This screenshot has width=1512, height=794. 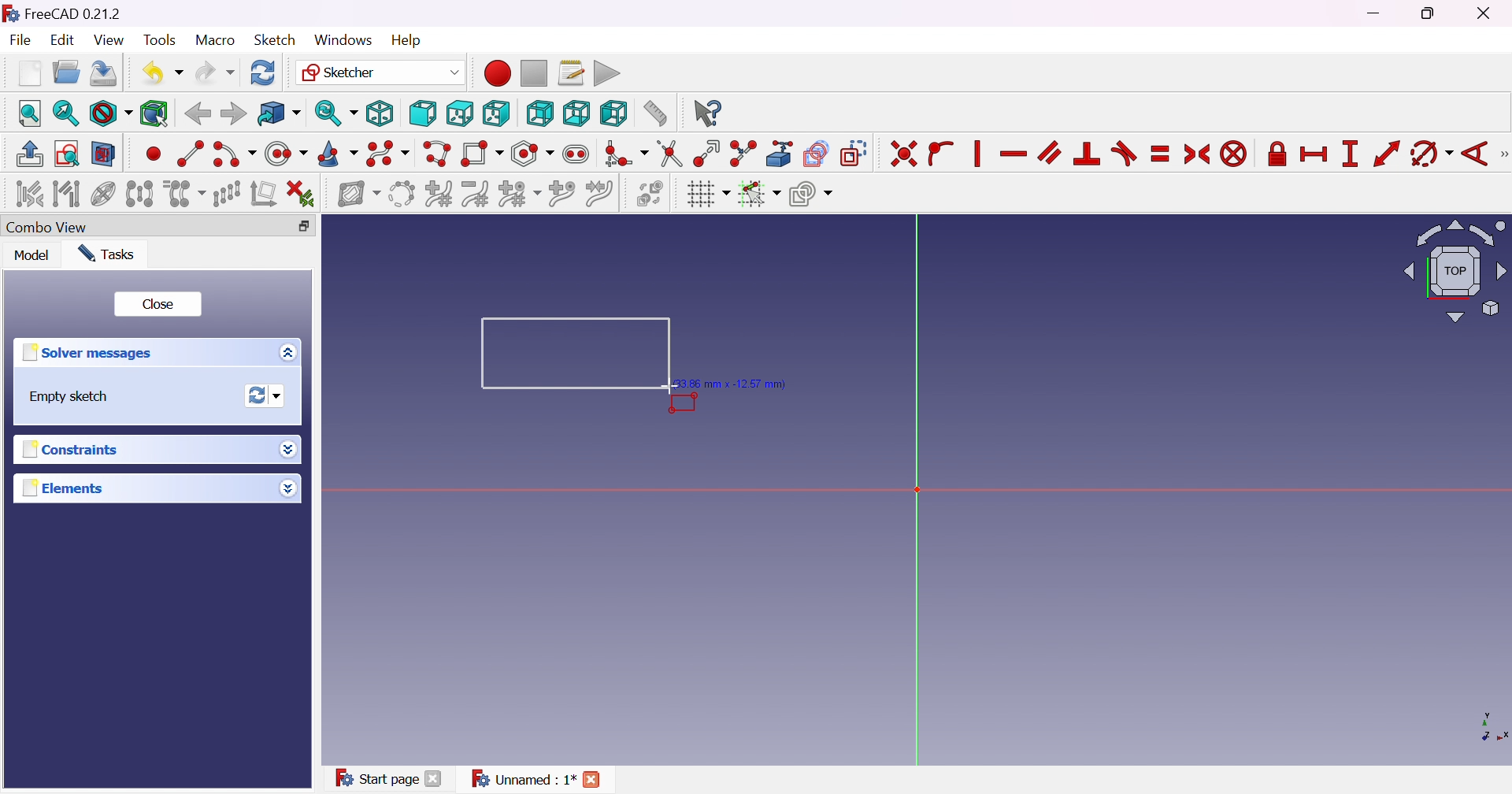 What do you see at coordinates (29, 193) in the screenshot?
I see `Select associated constraints` at bounding box center [29, 193].